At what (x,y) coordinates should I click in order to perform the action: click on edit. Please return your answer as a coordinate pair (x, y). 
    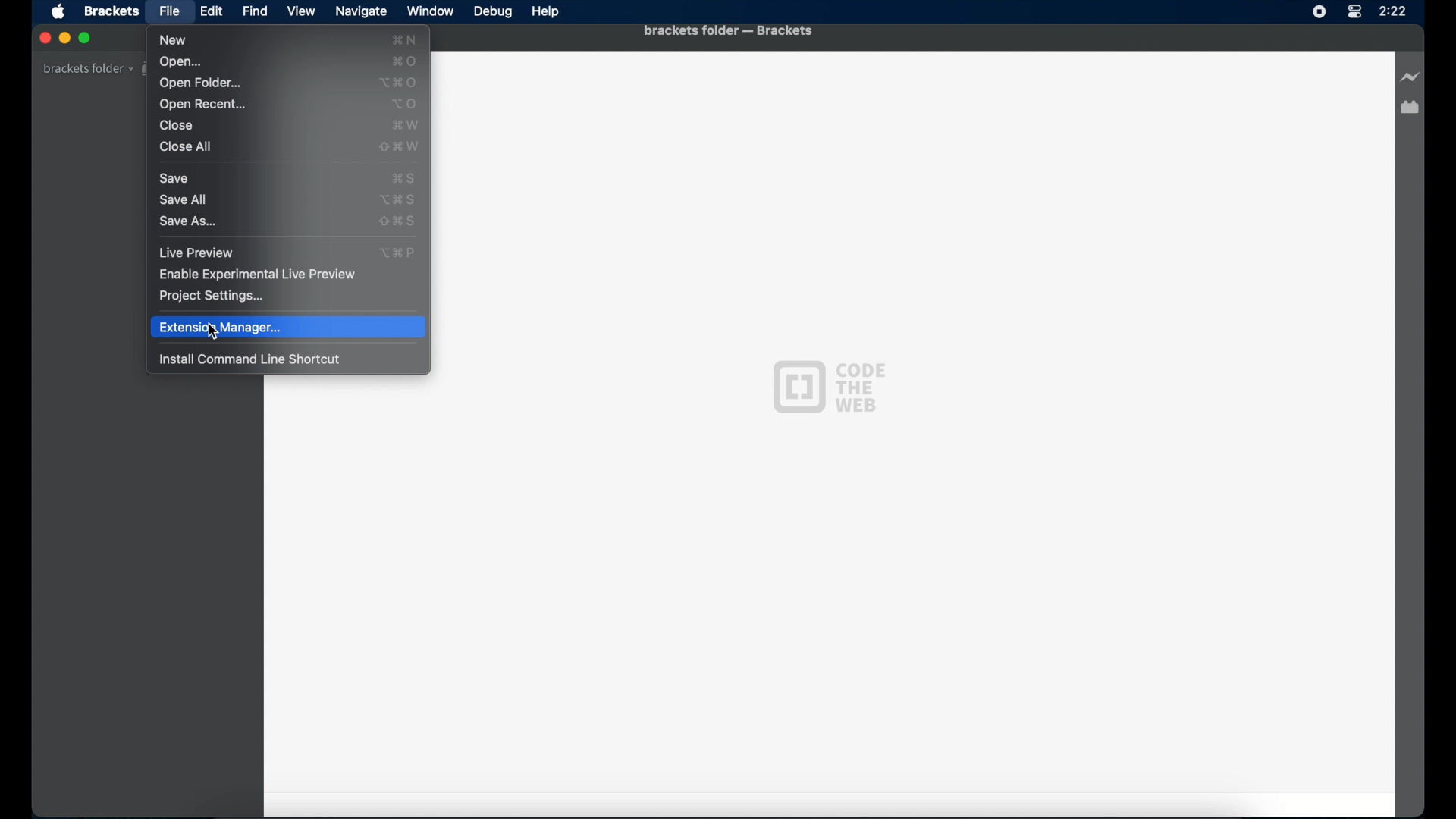
    Looking at the image, I should click on (211, 11).